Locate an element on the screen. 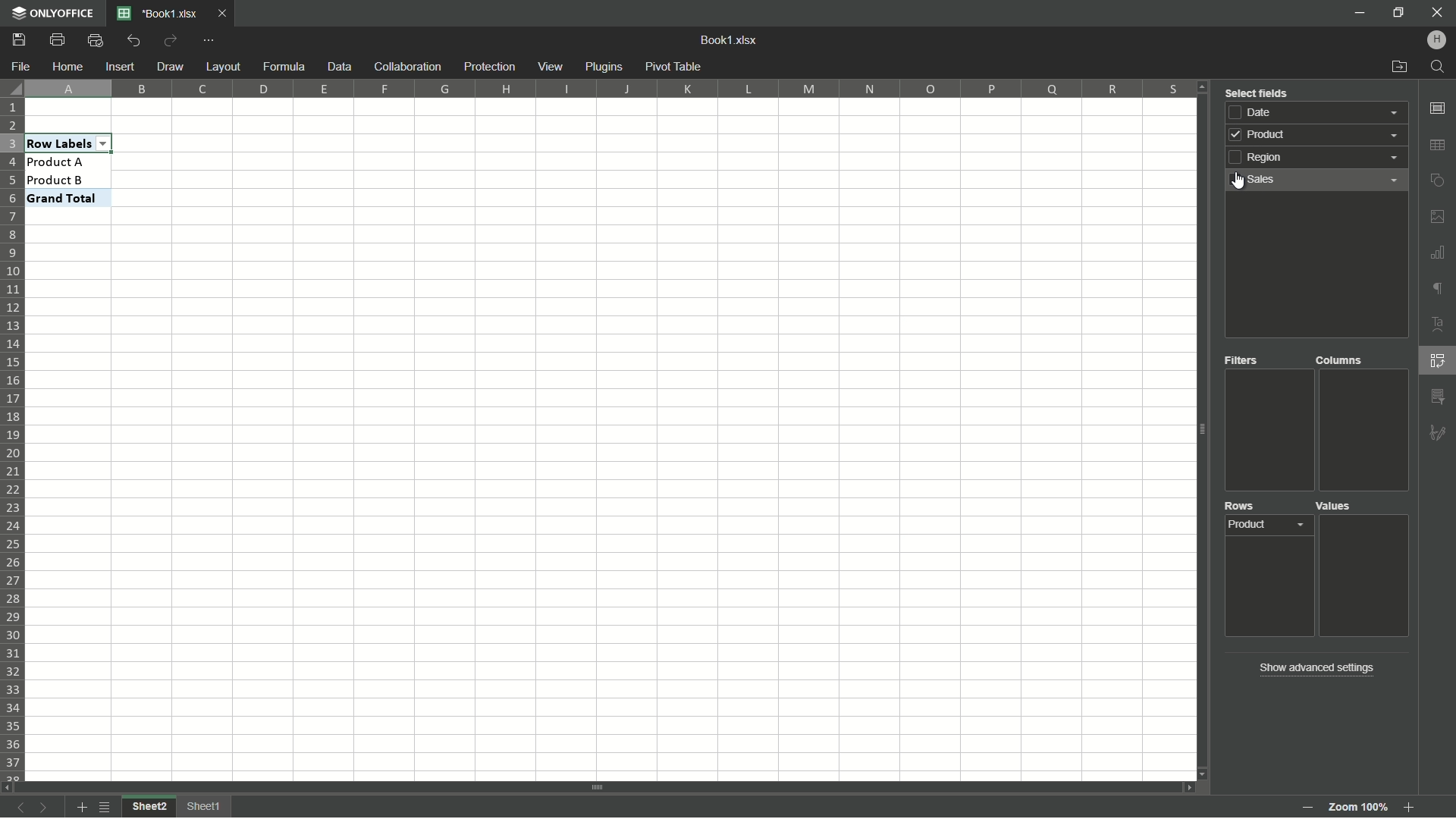 This screenshot has height=819, width=1456. open file location is located at coordinates (1398, 67).